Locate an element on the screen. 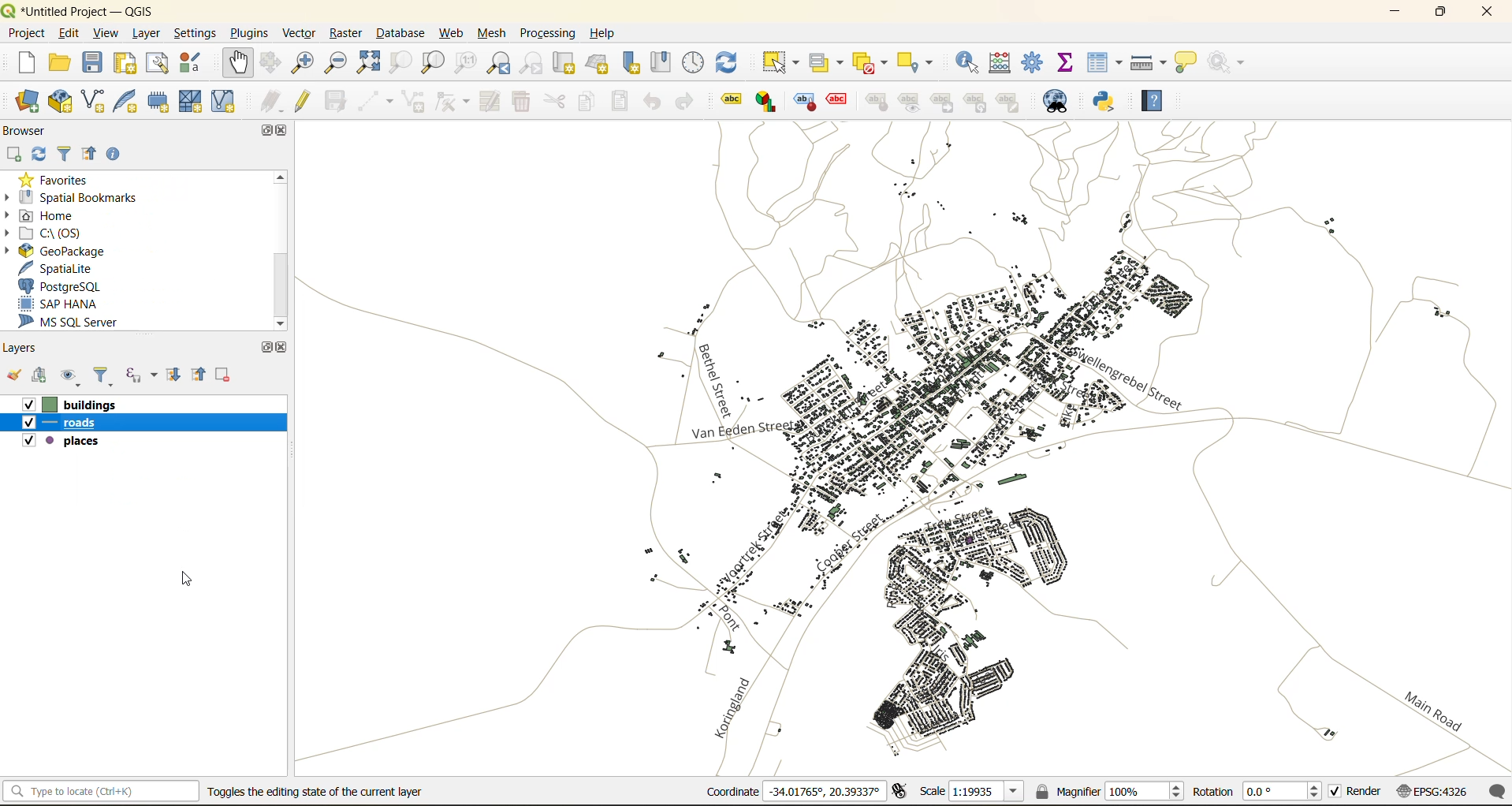 The image size is (1512, 806). vertex tools is located at coordinates (447, 101).